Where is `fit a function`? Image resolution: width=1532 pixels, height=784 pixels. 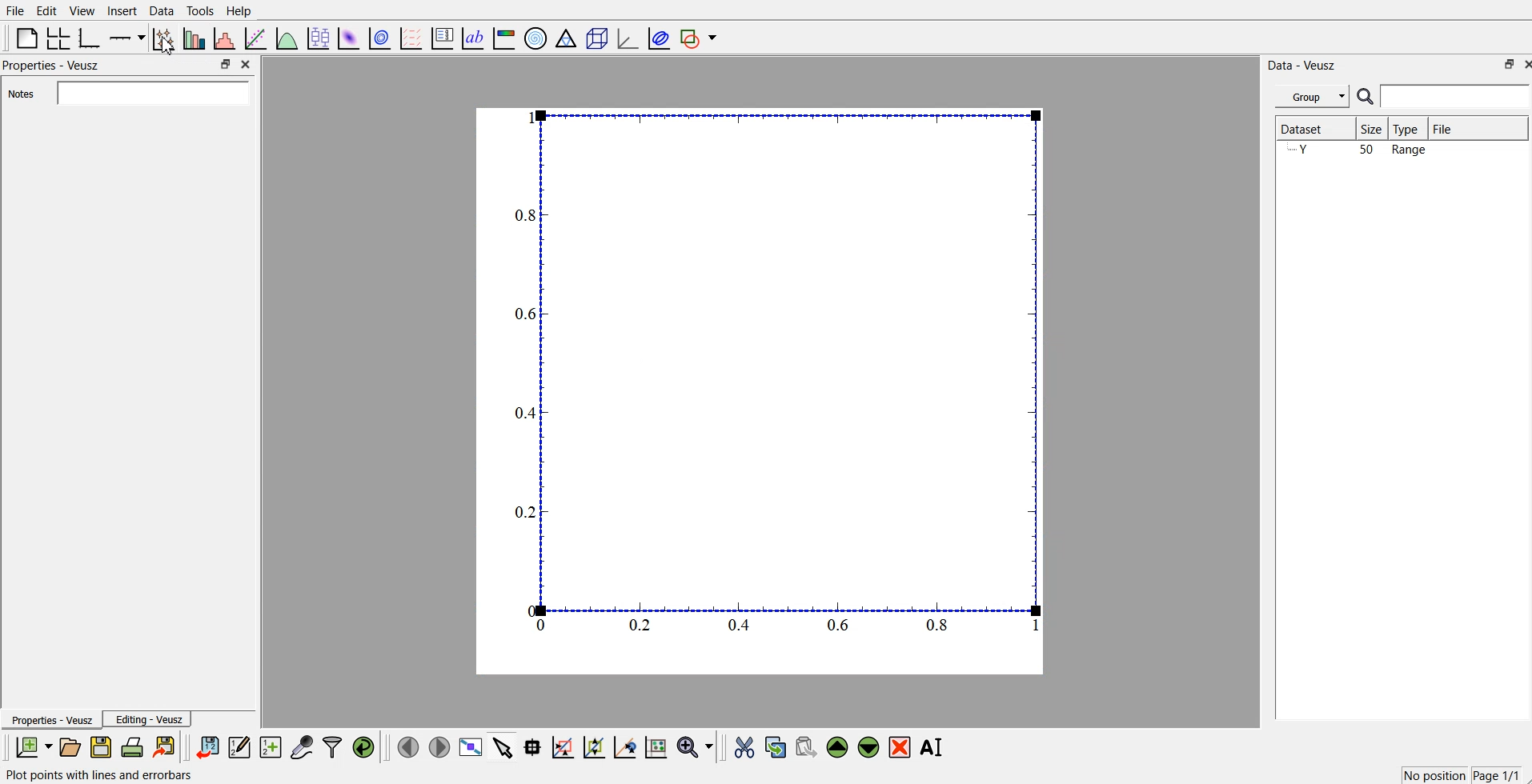
fit a function is located at coordinates (258, 37).